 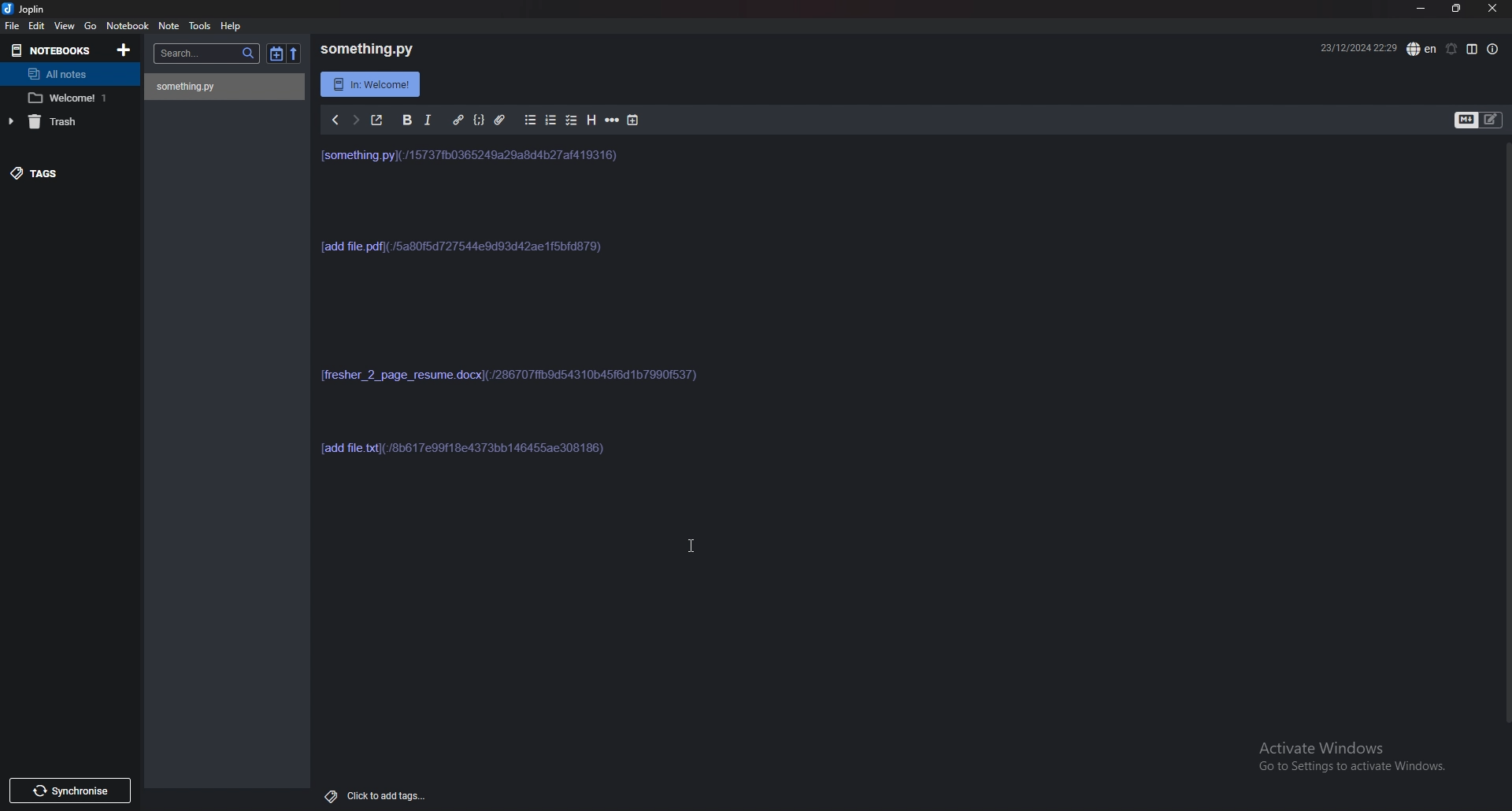 I want to click on add tags, so click(x=386, y=797).